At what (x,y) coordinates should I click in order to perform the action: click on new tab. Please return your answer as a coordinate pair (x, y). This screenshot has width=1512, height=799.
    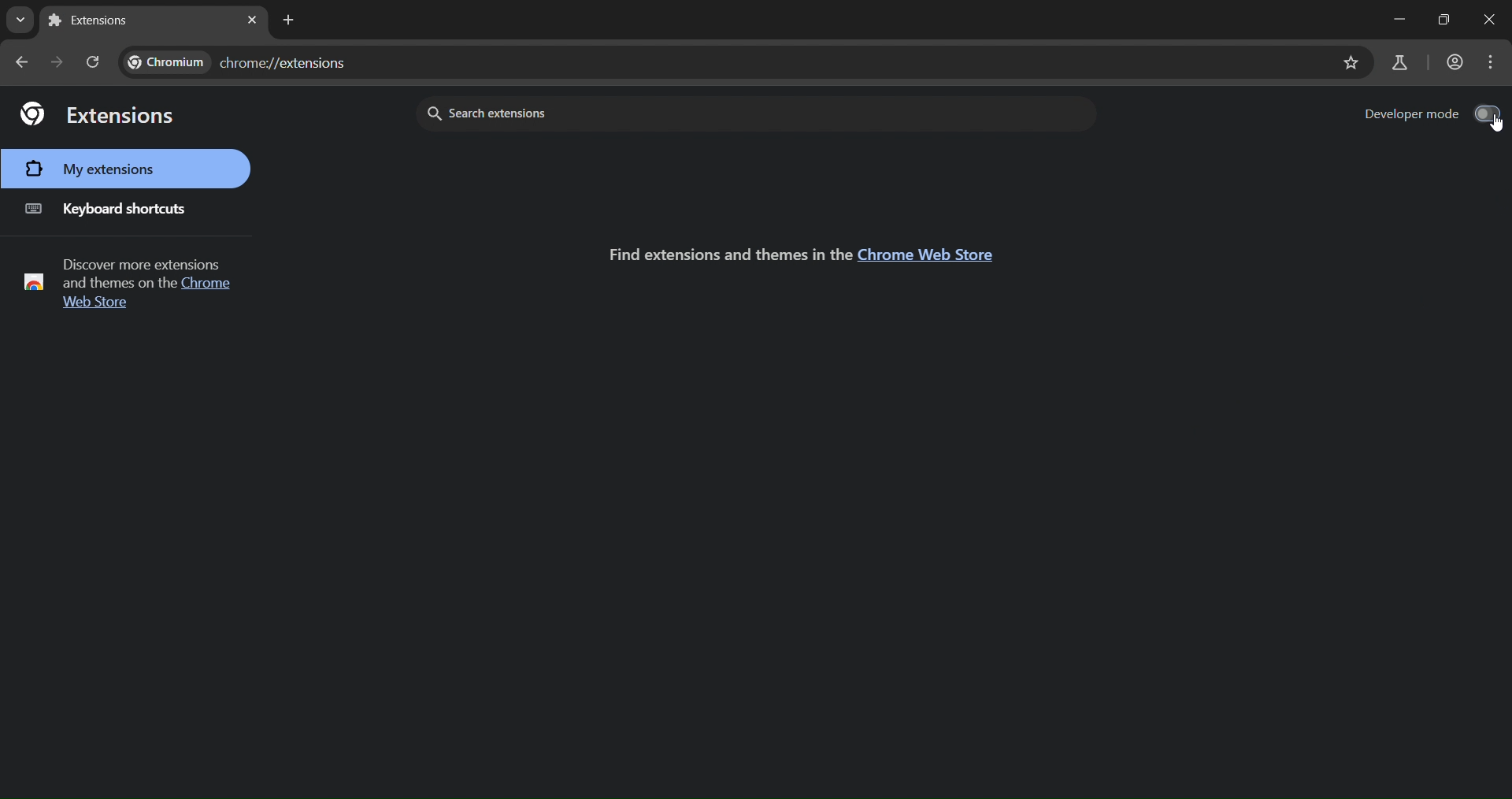
    Looking at the image, I should click on (99, 22).